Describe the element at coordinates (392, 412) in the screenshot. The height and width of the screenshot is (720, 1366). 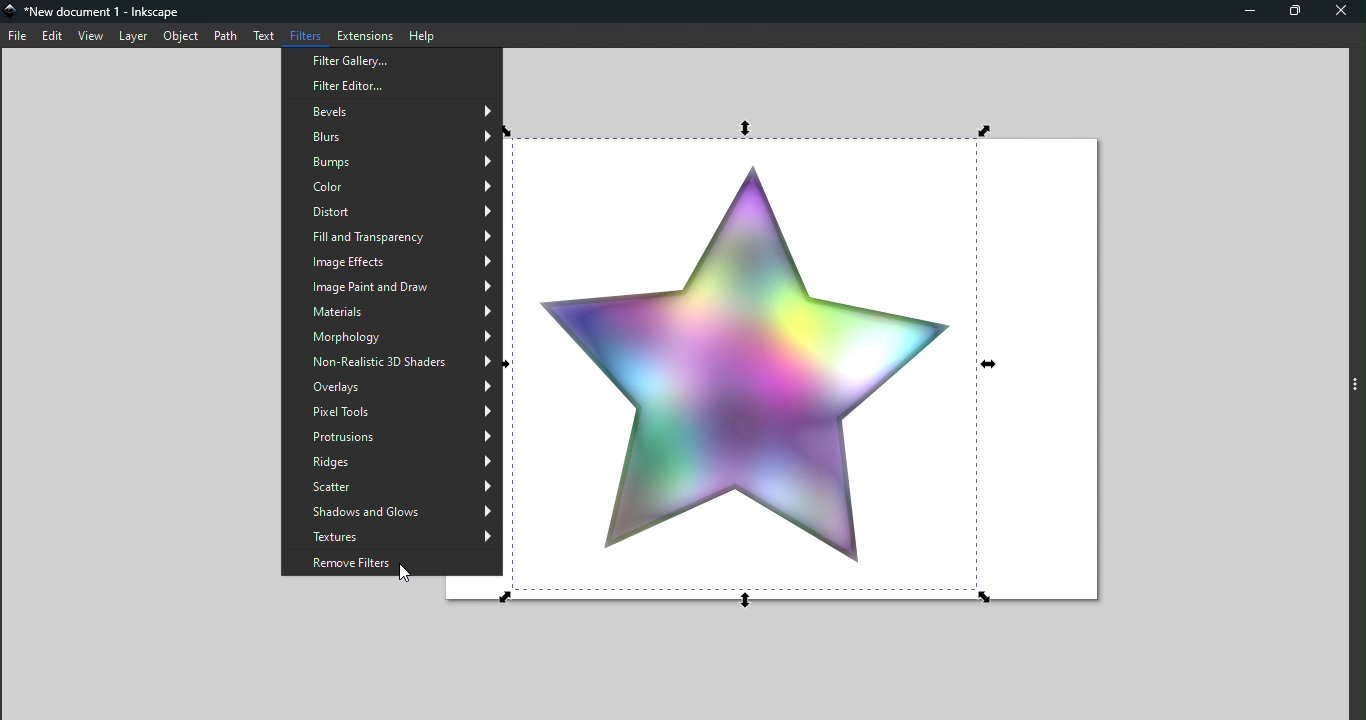
I see `Pixels tools` at that location.